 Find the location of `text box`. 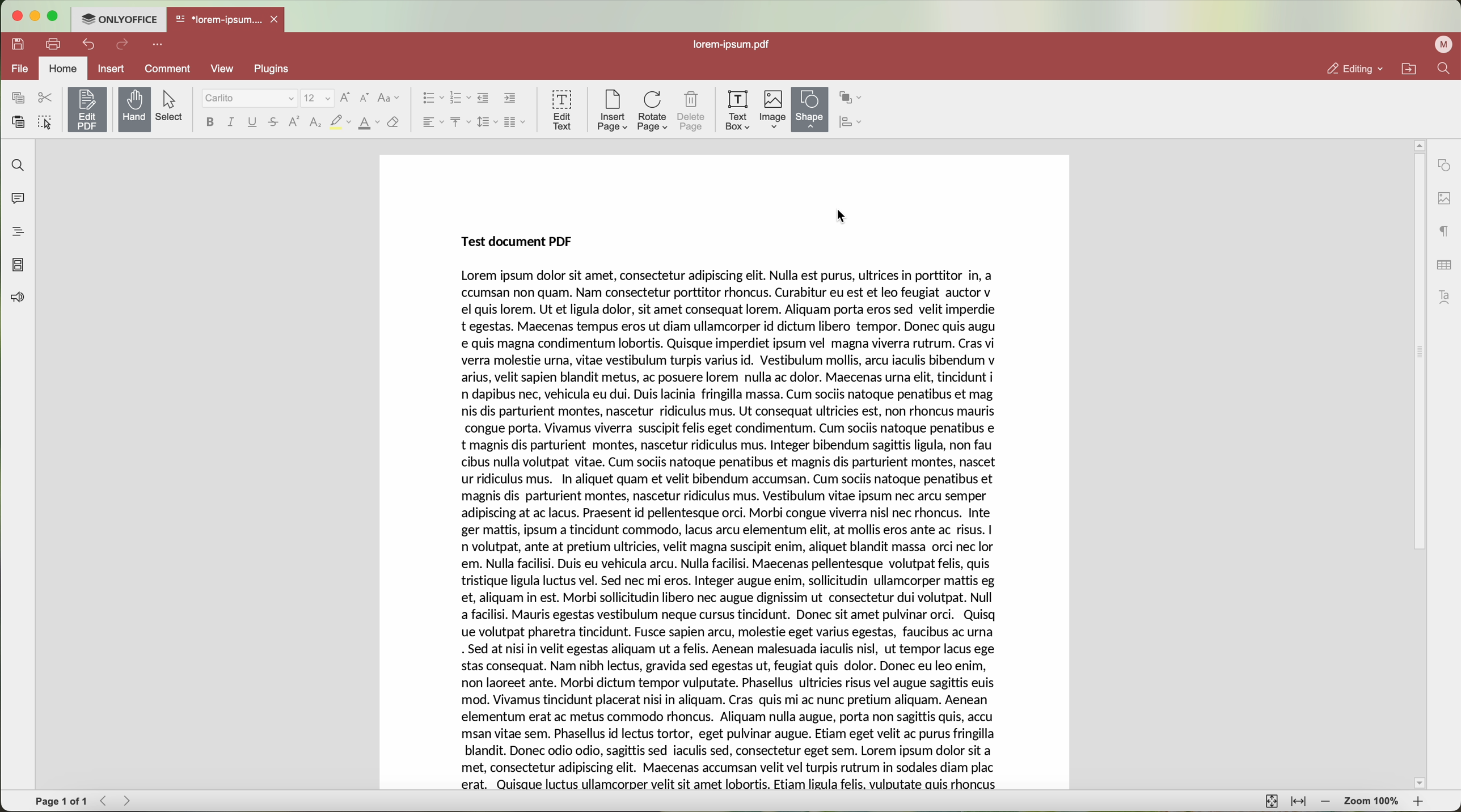

text box is located at coordinates (737, 109).